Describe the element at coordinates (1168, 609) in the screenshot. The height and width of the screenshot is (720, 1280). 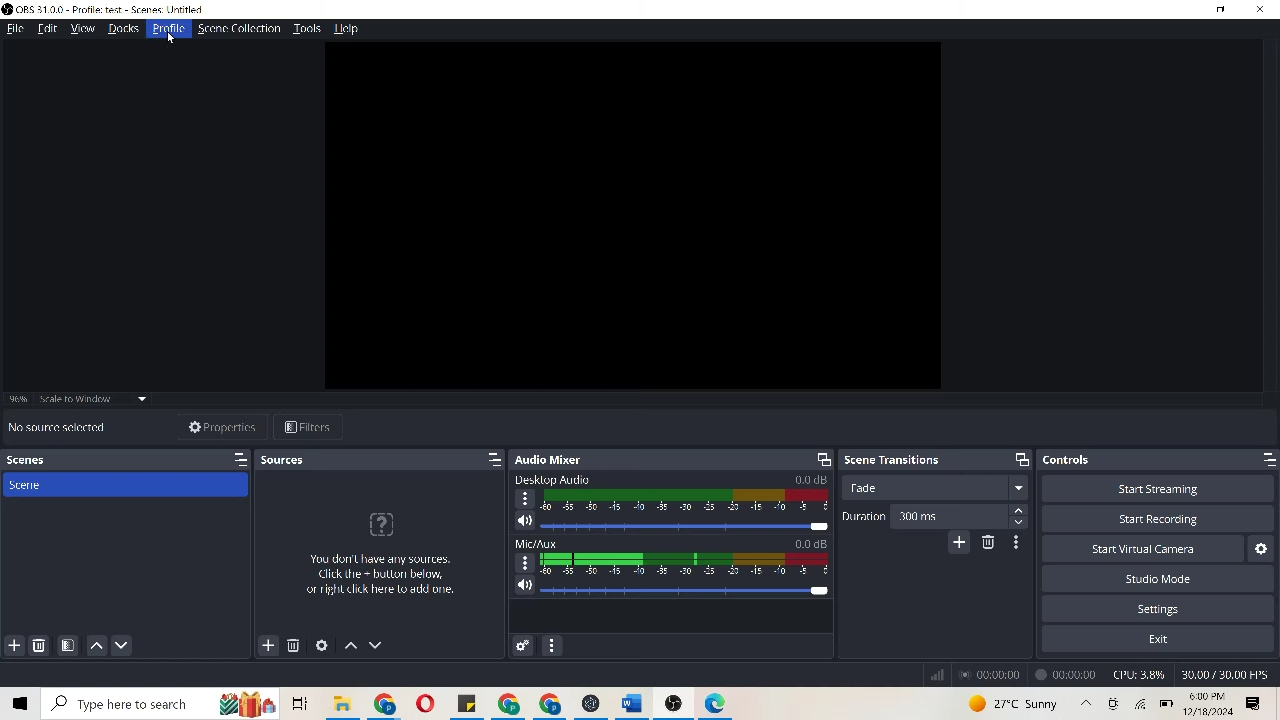
I see `settings` at that location.